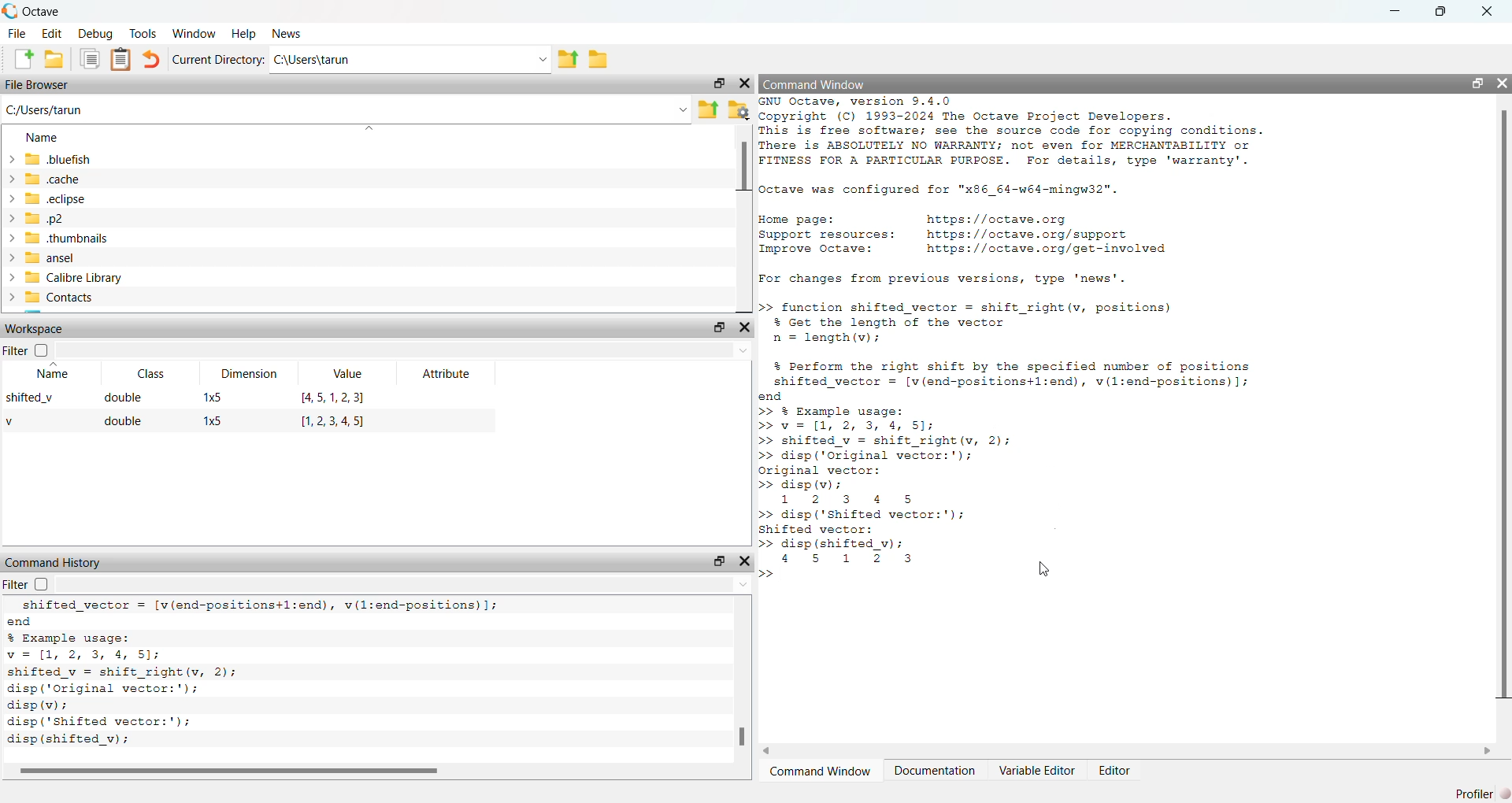 The image size is (1512, 803). Describe the element at coordinates (345, 110) in the screenshot. I see `enter the path or filename` at that location.